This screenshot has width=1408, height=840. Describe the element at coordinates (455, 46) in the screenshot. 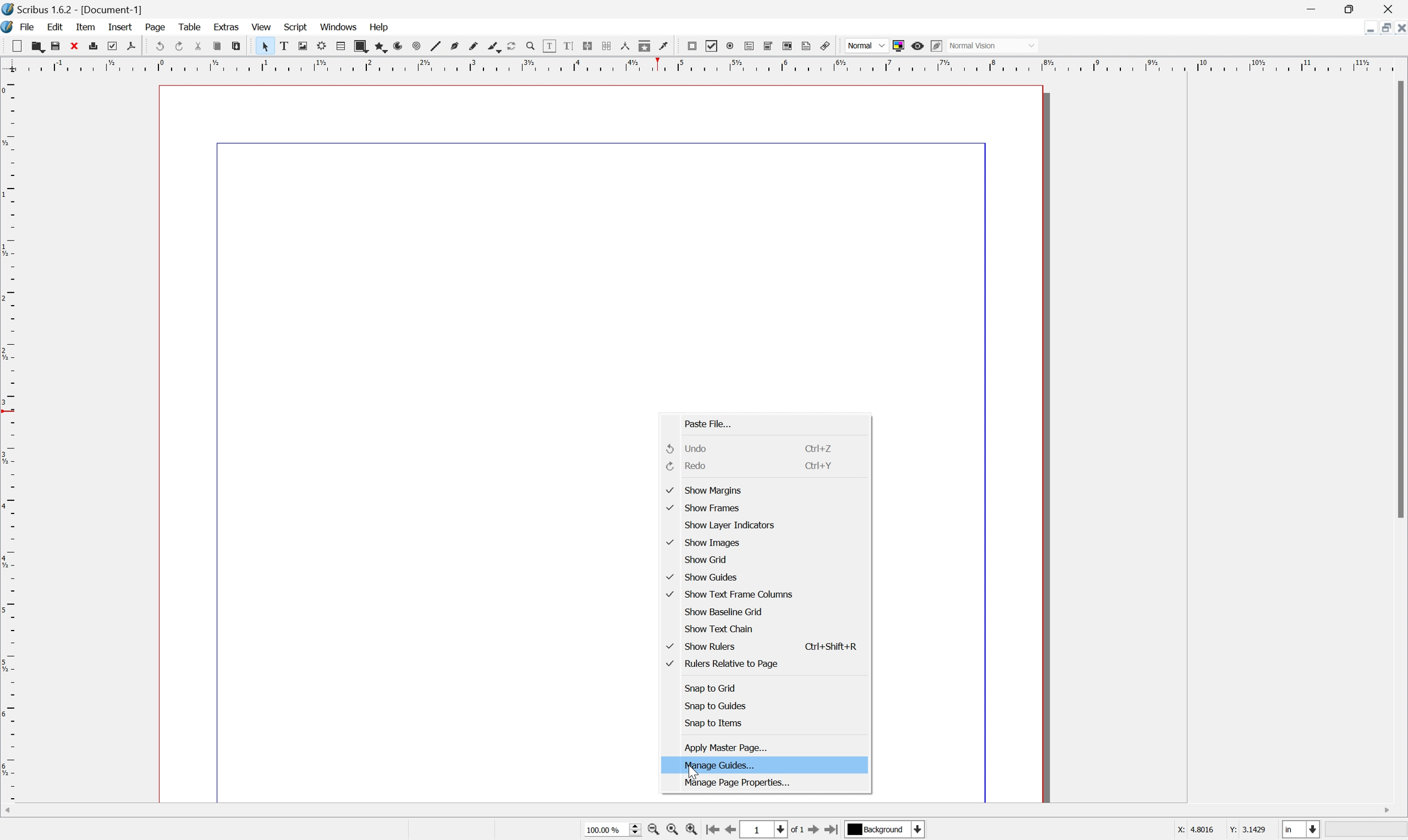

I see `bezier curve` at that location.